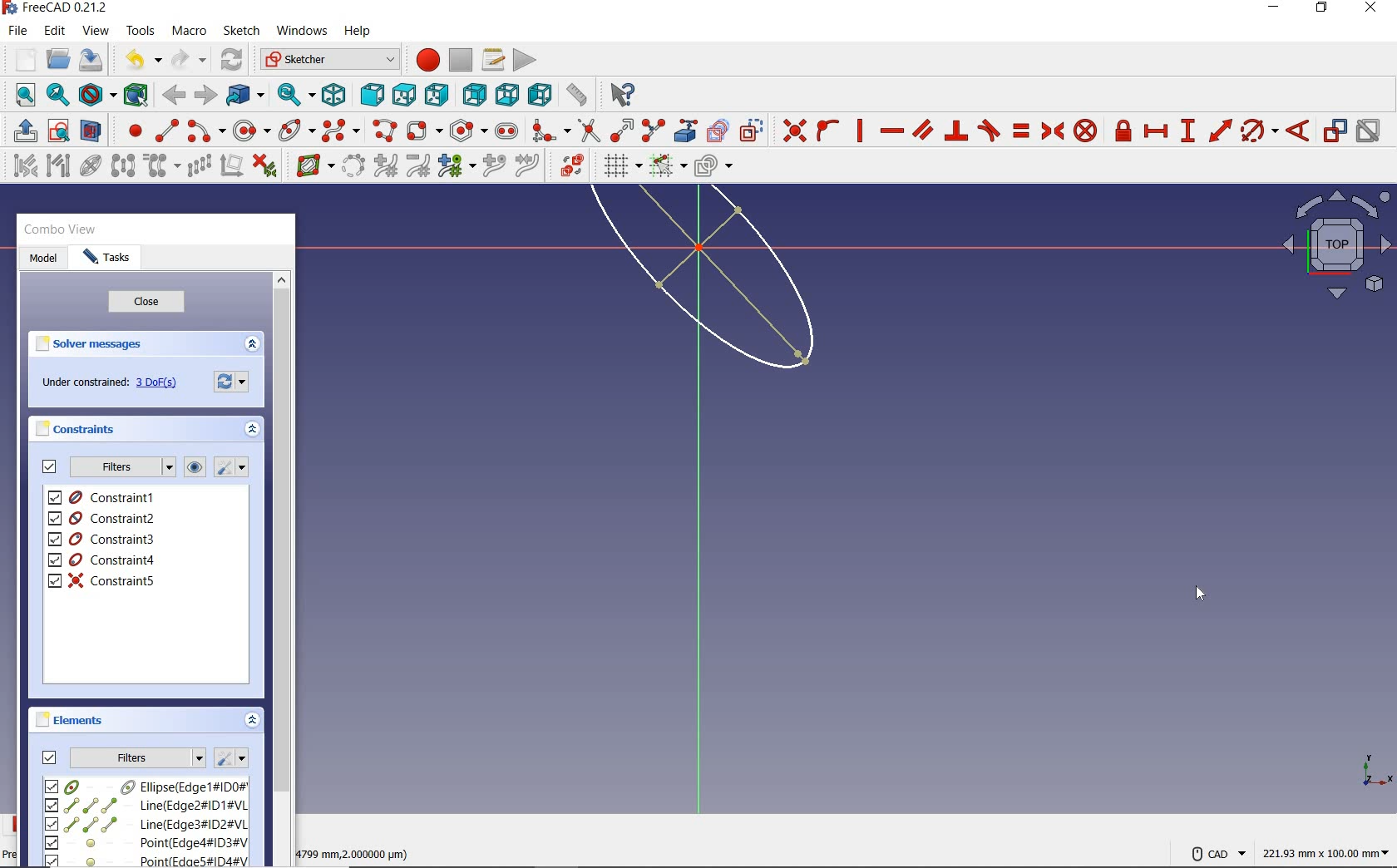 The image size is (1397, 868). Describe the element at coordinates (474, 94) in the screenshot. I see `rear` at that location.